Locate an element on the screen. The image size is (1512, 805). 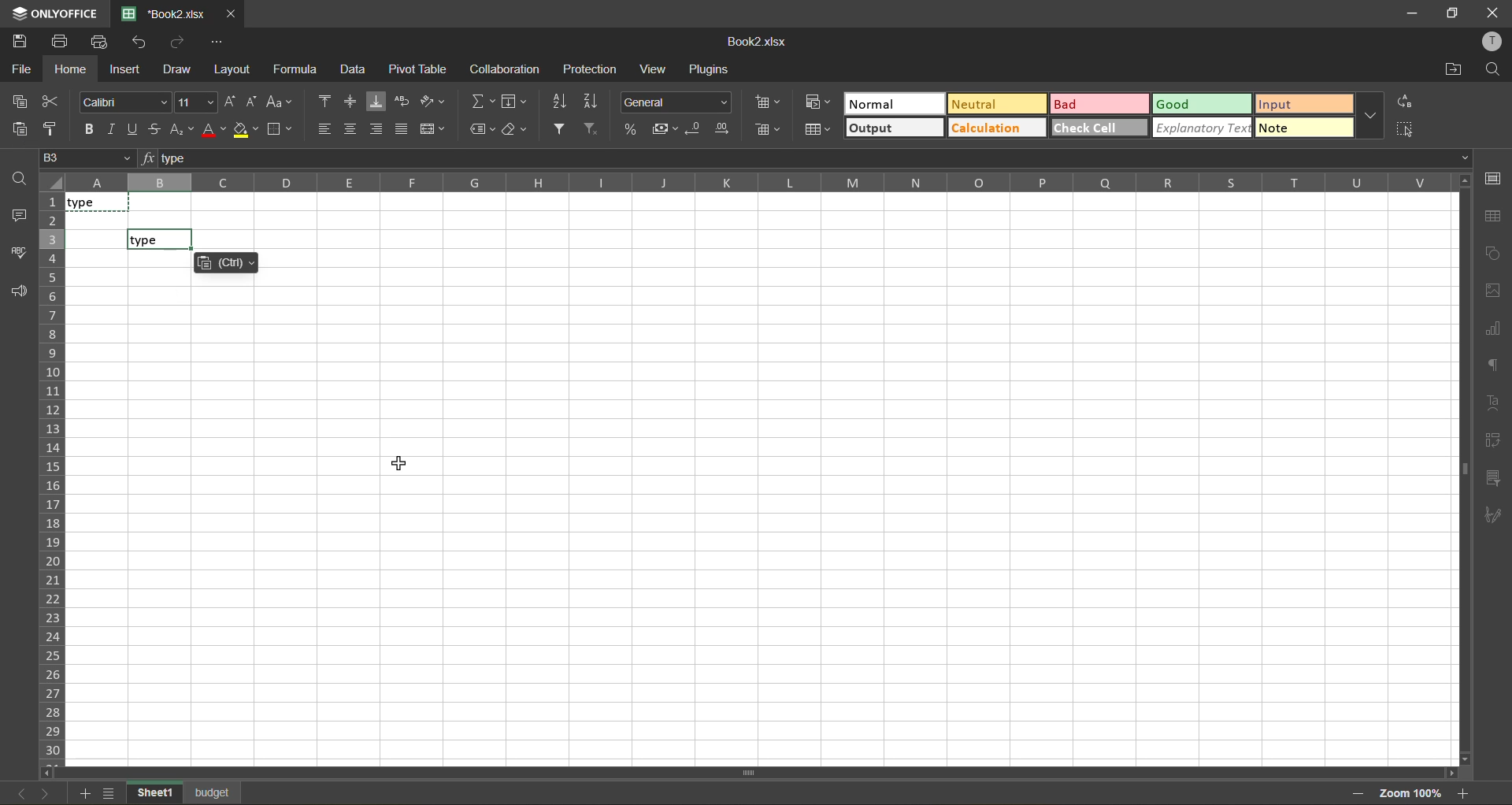
change case is located at coordinates (280, 101).